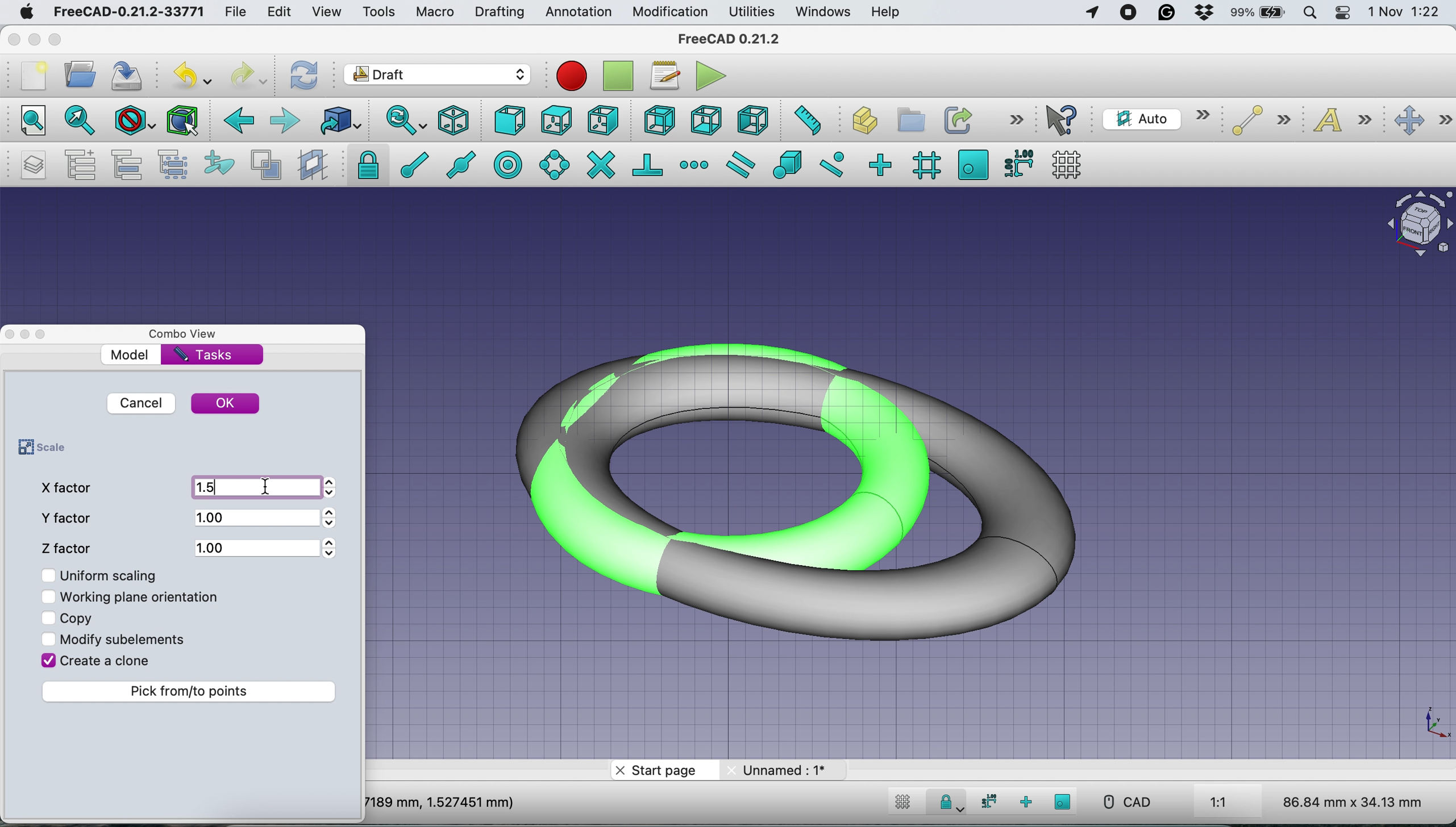 This screenshot has height=827, width=1456. What do you see at coordinates (753, 12) in the screenshot?
I see `utilities` at bounding box center [753, 12].